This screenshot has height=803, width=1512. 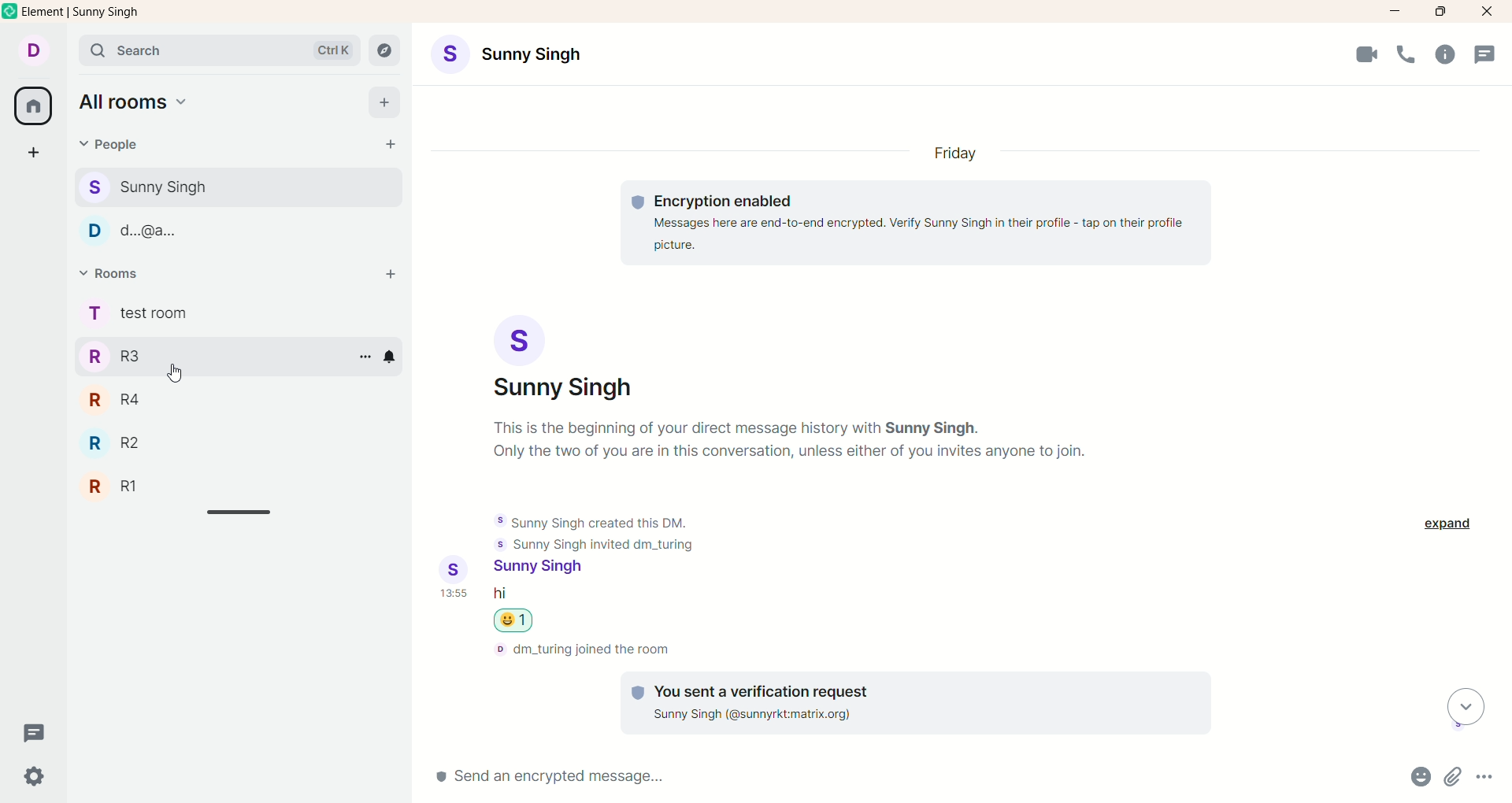 I want to click on account, so click(x=521, y=569).